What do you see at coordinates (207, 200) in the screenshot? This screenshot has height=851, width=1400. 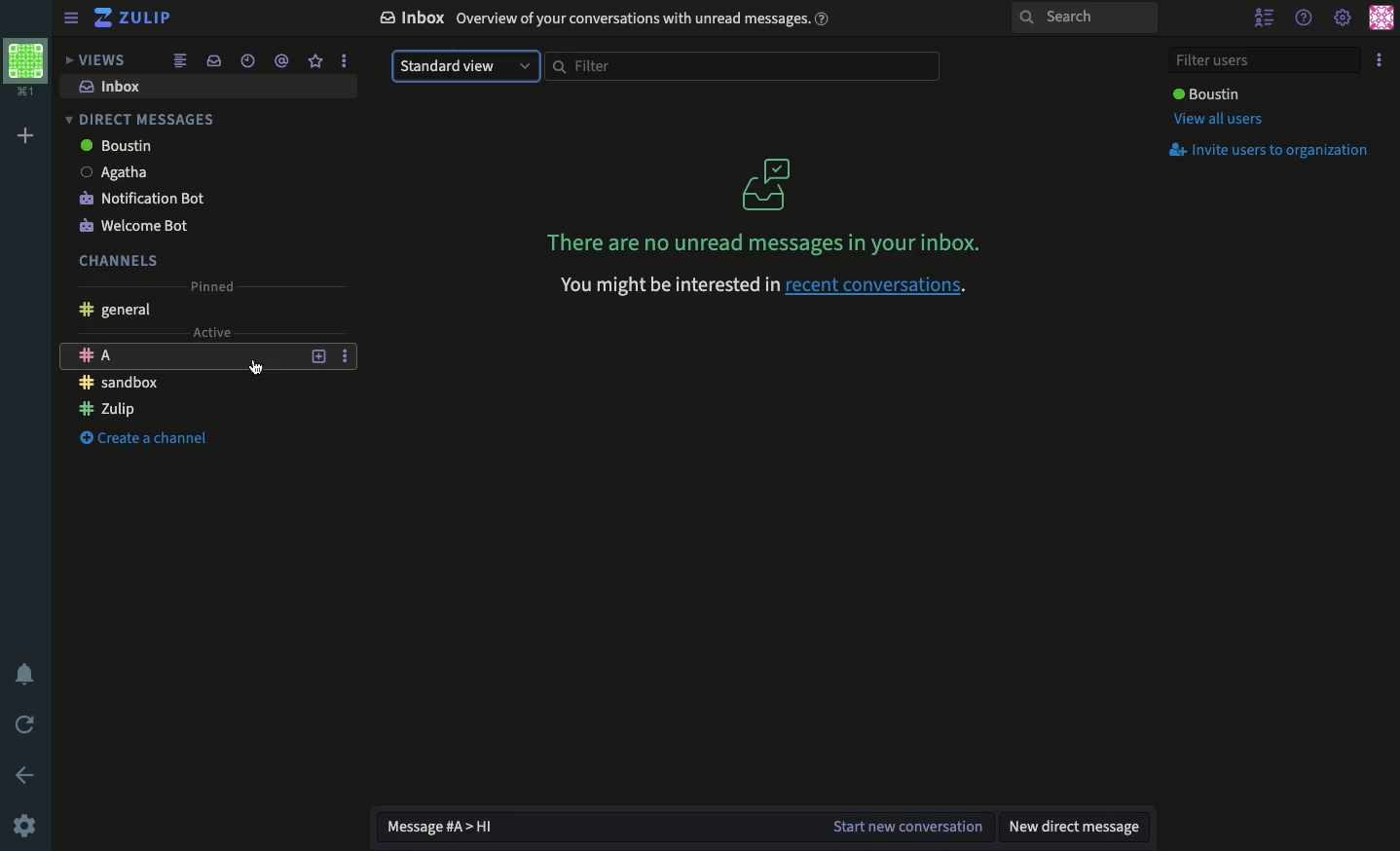 I see `Notification bot` at bounding box center [207, 200].